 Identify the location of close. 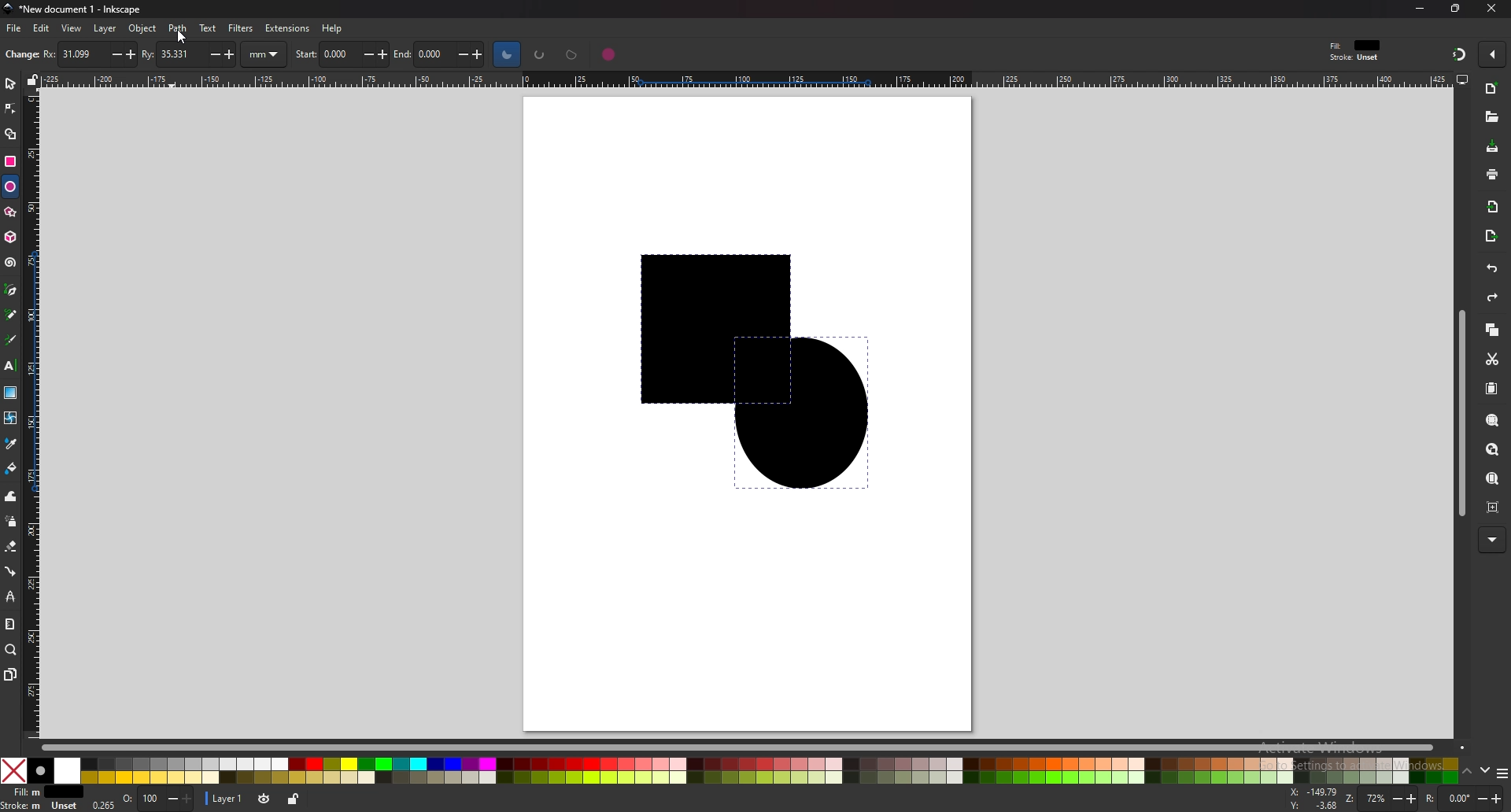
(1488, 9).